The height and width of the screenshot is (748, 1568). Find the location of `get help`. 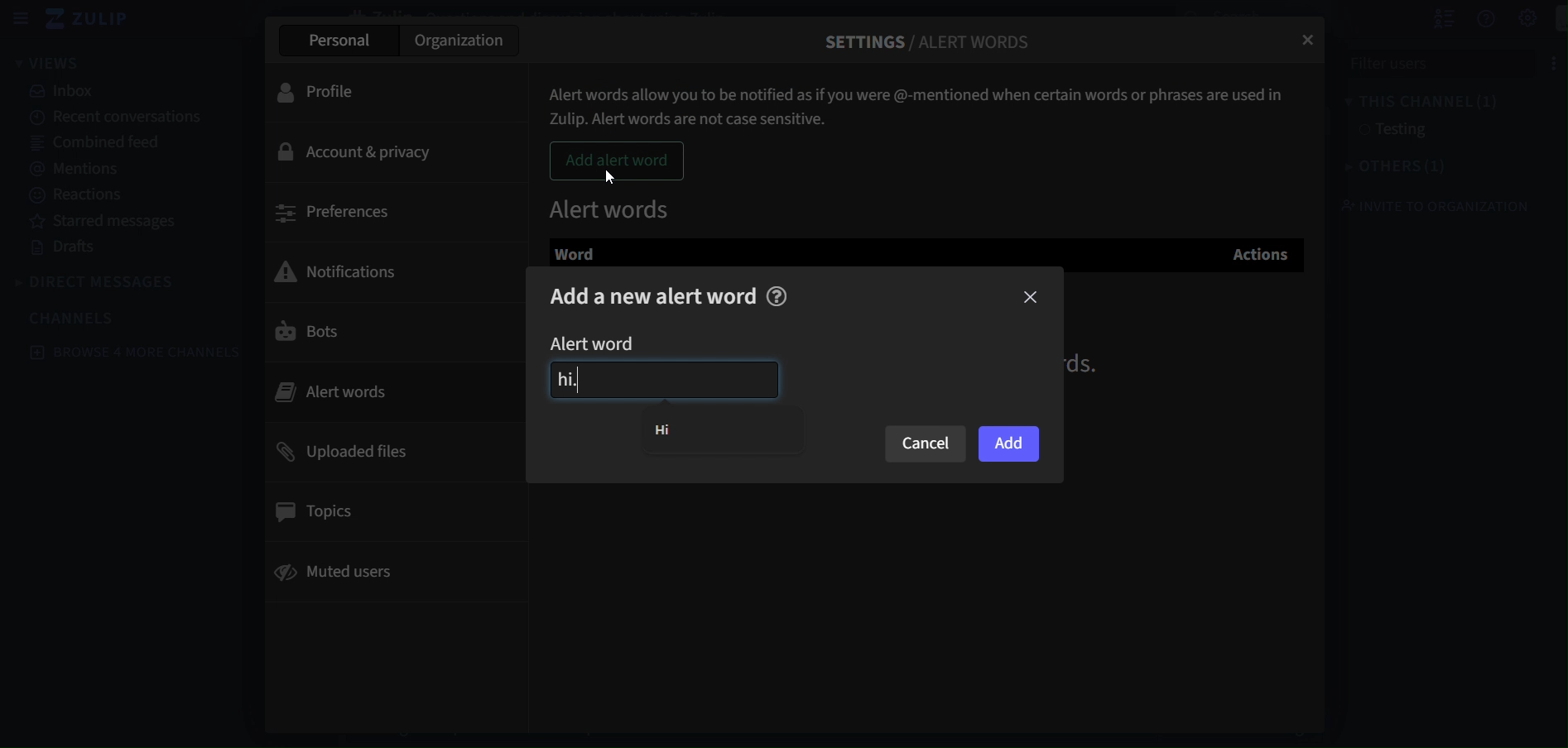

get help is located at coordinates (1468, 19).